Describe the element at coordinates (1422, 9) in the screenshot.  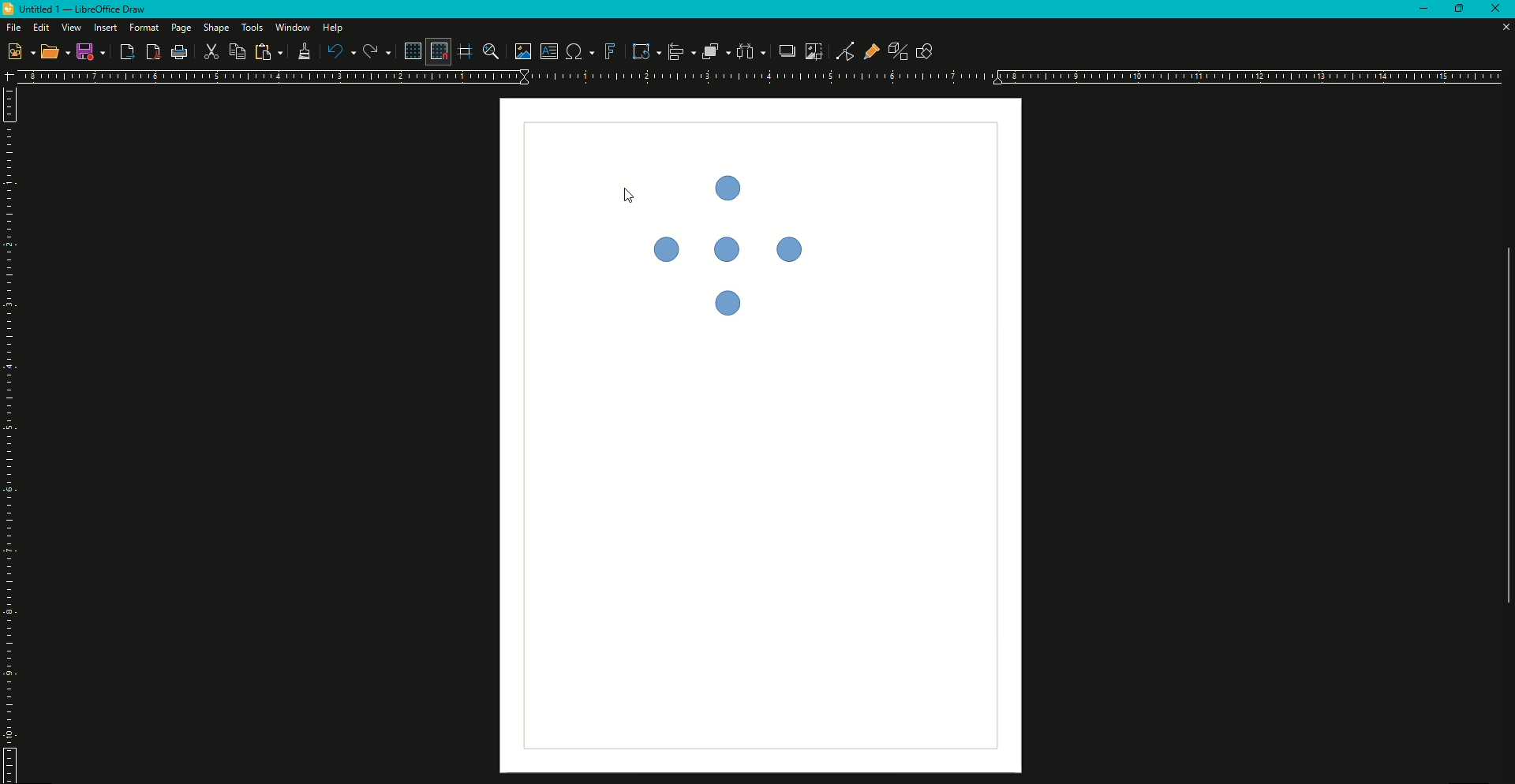
I see `Minimize` at that location.